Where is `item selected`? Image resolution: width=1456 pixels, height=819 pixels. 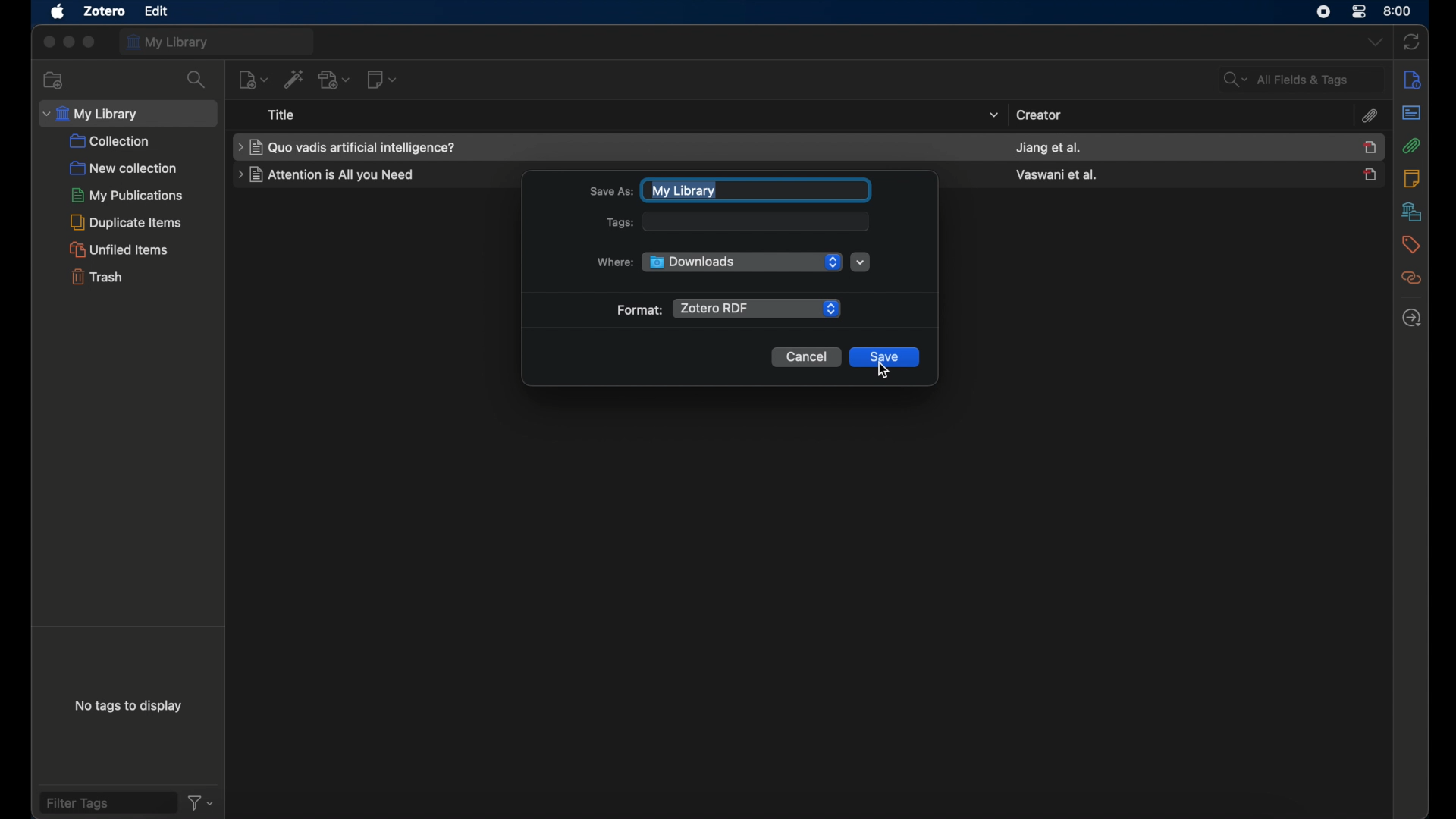 item selected is located at coordinates (1370, 146).